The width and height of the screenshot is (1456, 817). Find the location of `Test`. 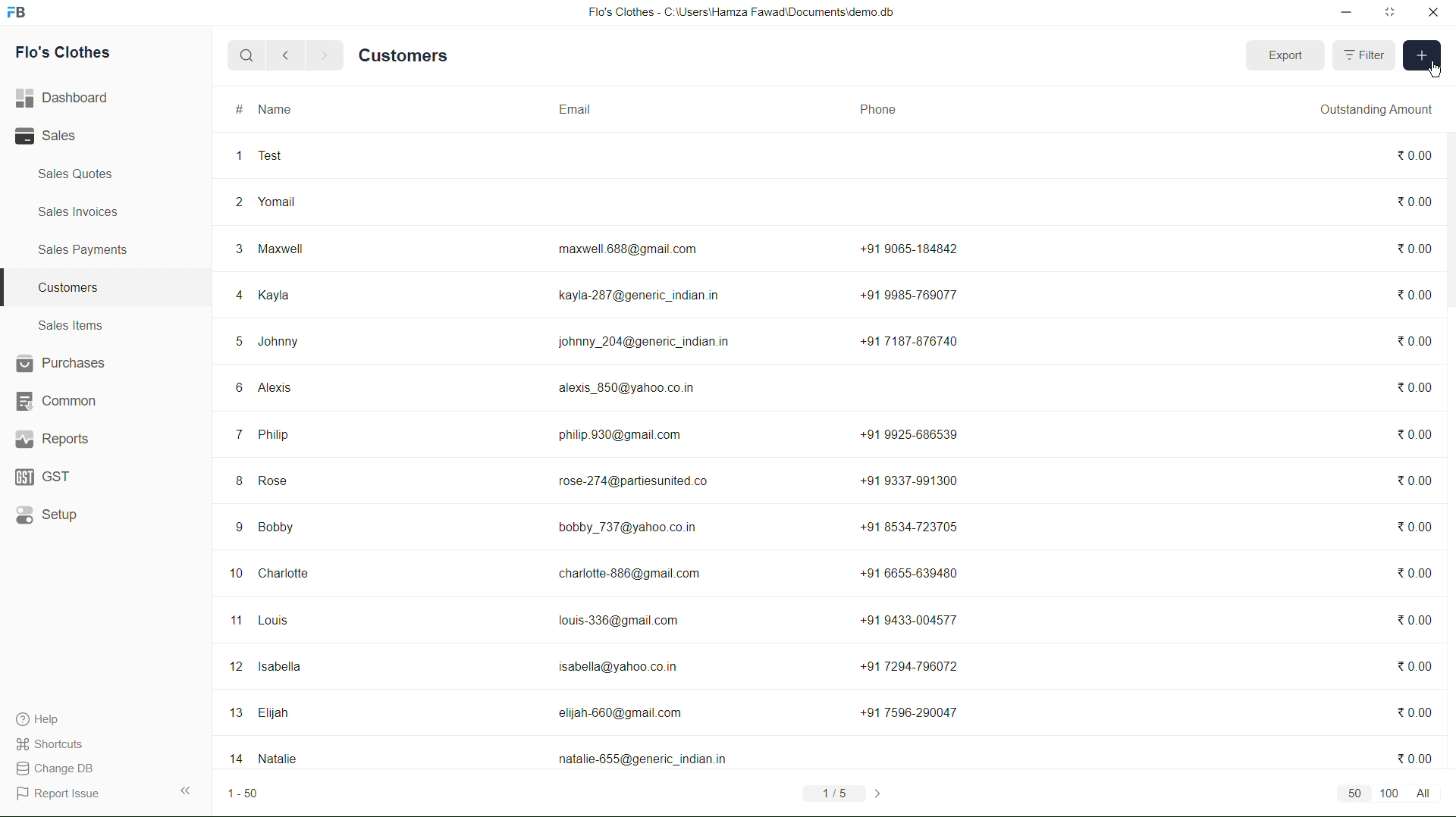

Test is located at coordinates (273, 156).